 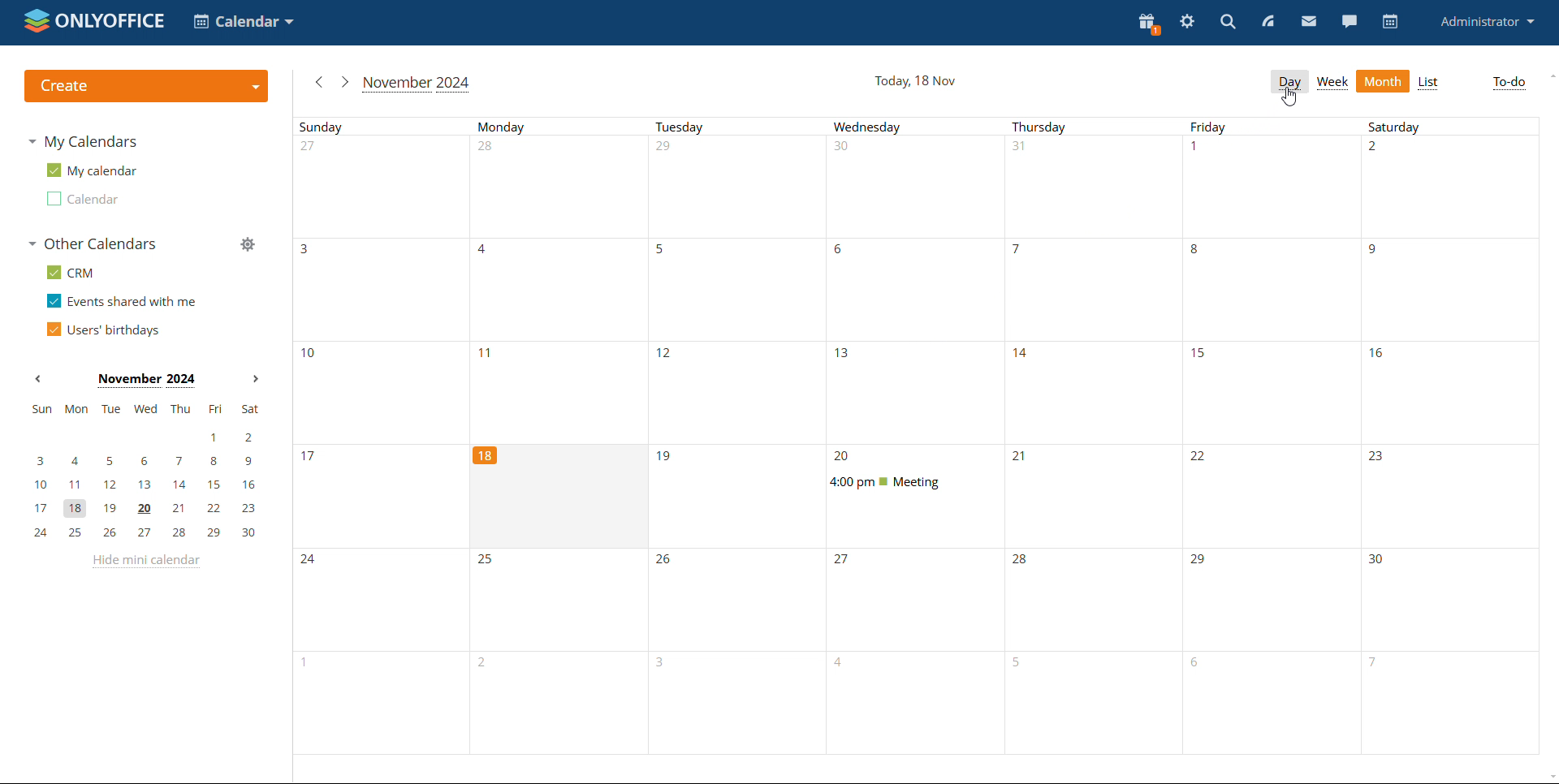 I want to click on Saturday, so click(x=1451, y=446).